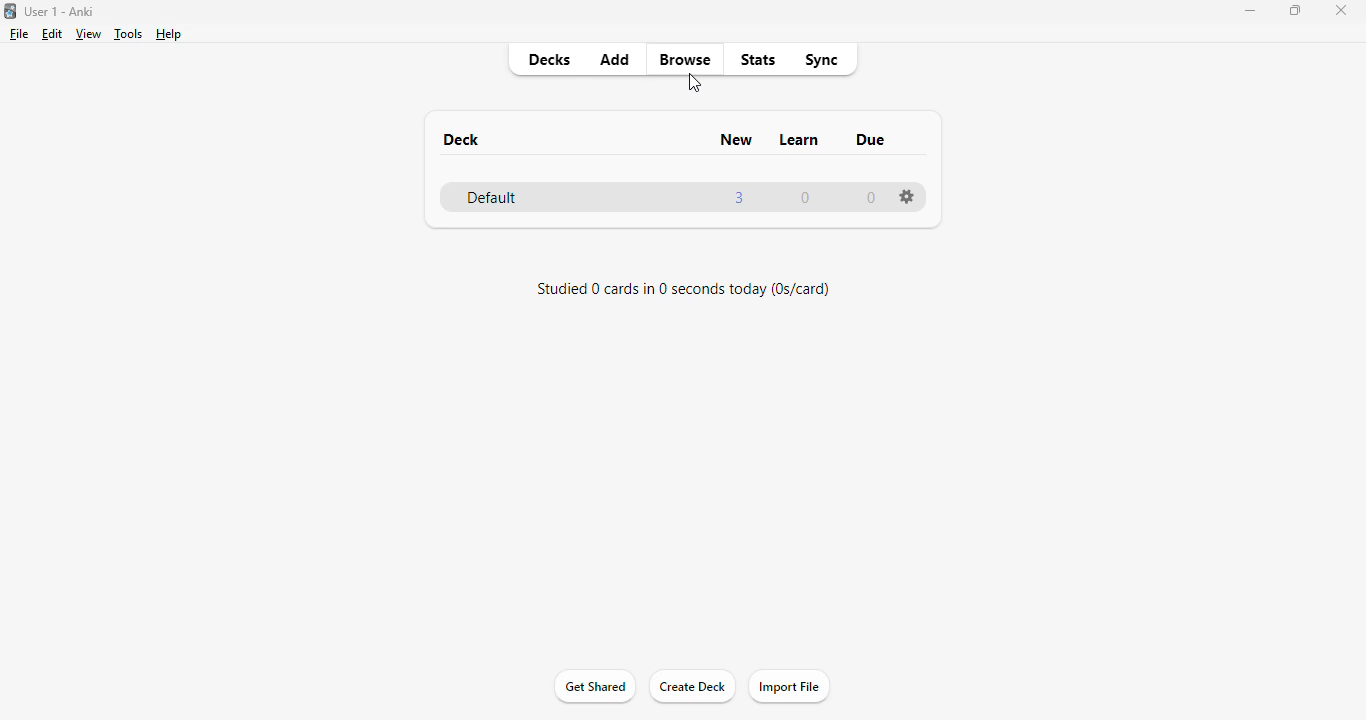  What do you see at coordinates (1340, 11) in the screenshot?
I see `close` at bounding box center [1340, 11].